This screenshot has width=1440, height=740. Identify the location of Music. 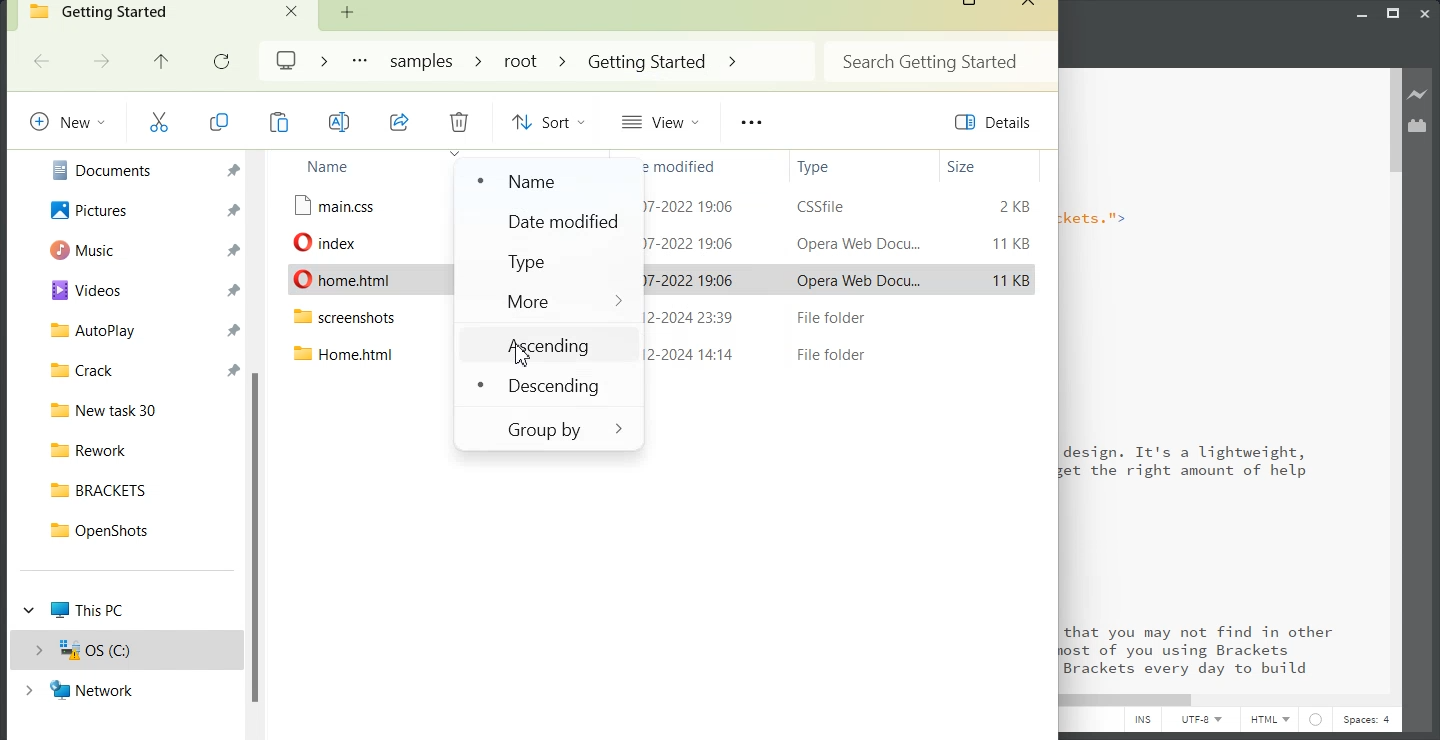
(138, 250).